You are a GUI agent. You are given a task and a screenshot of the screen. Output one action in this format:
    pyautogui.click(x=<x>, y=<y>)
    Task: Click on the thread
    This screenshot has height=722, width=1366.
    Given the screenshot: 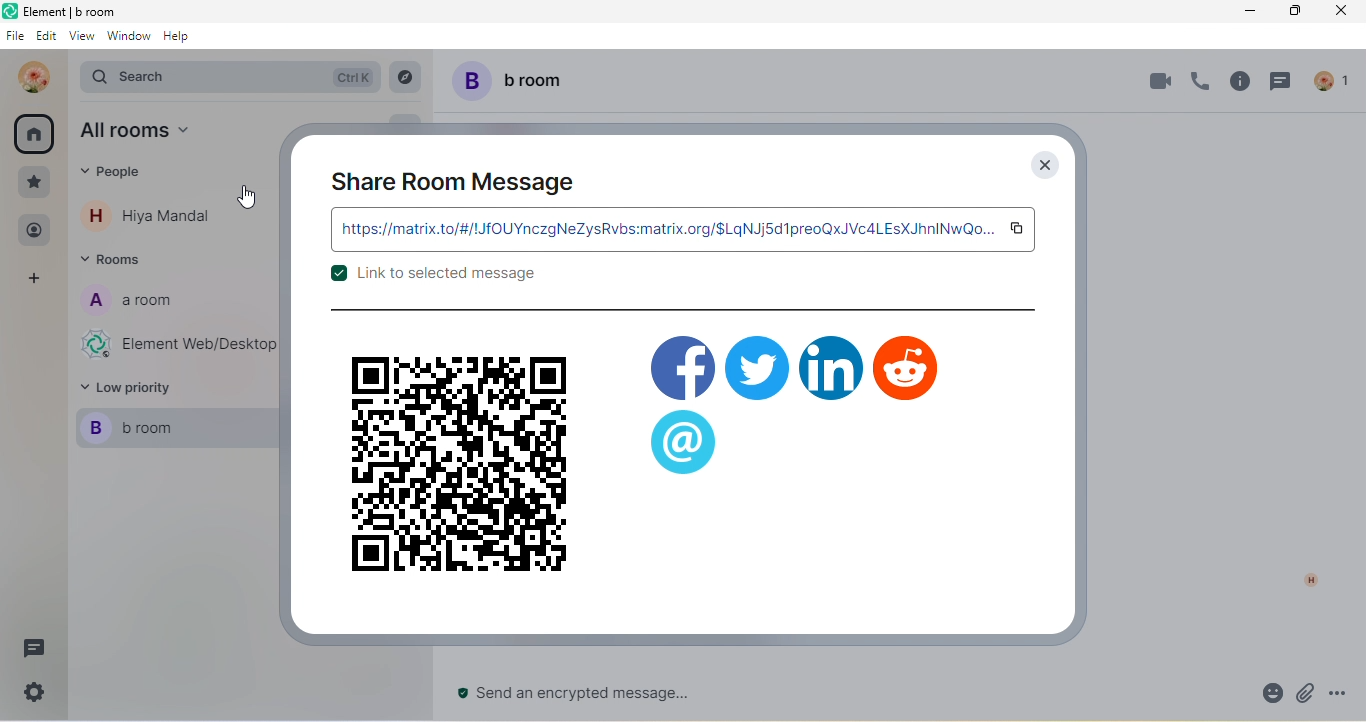 What is the action you would take?
    pyautogui.click(x=1285, y=85)
    